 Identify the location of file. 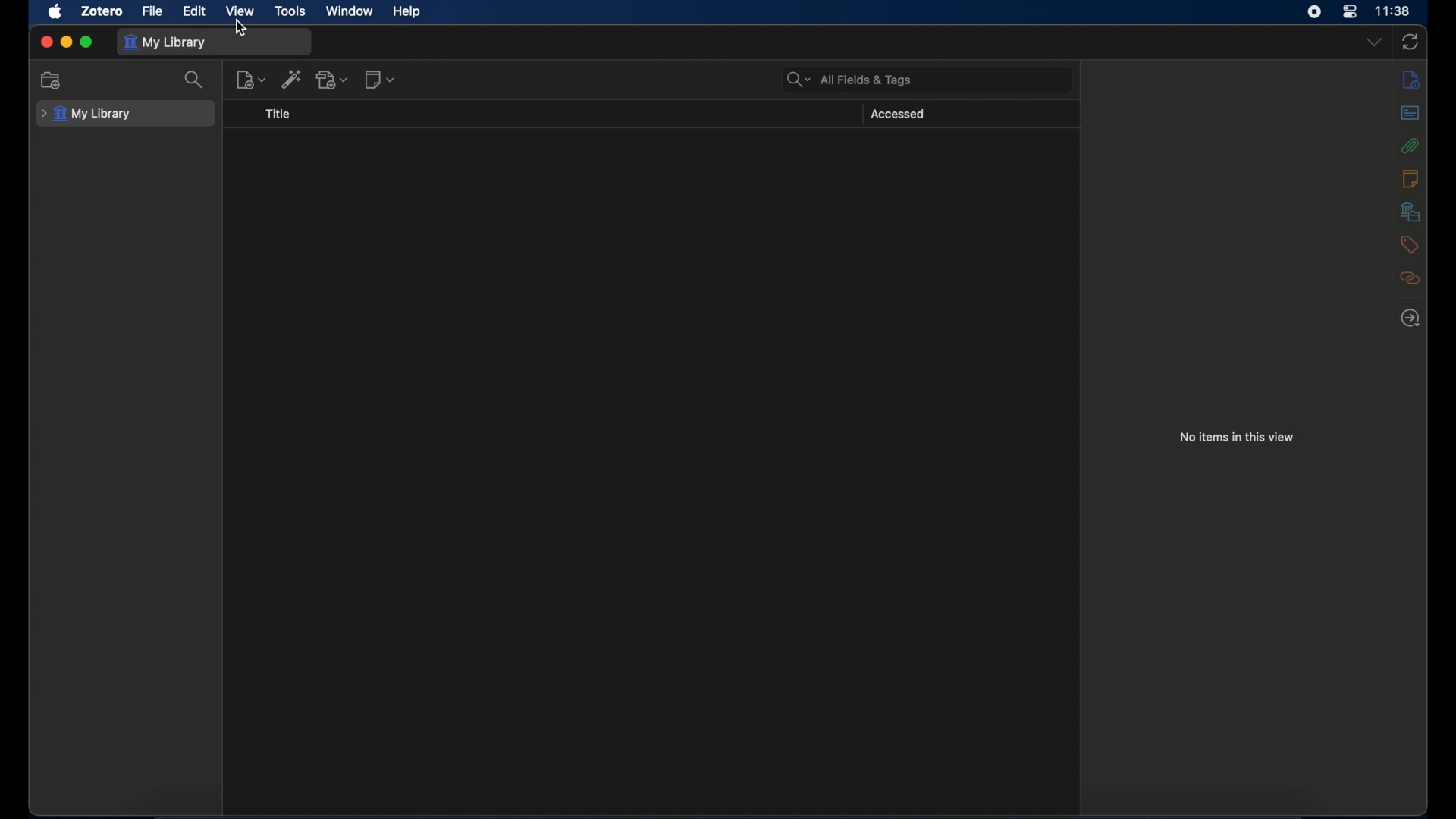
(153, 11).